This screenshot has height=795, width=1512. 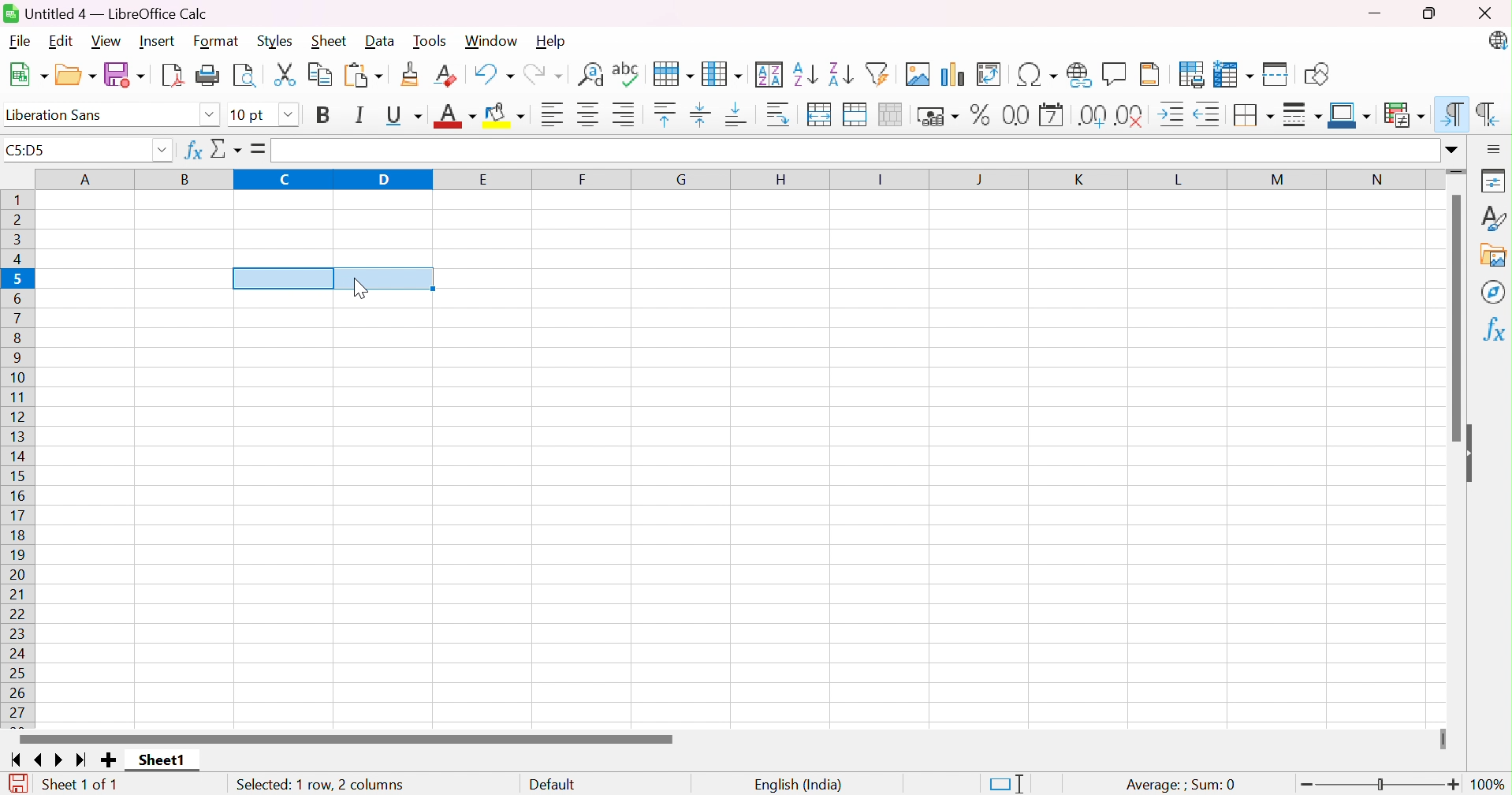 I want to click on Delete Decimal Place, so click(x=1133, y=114).